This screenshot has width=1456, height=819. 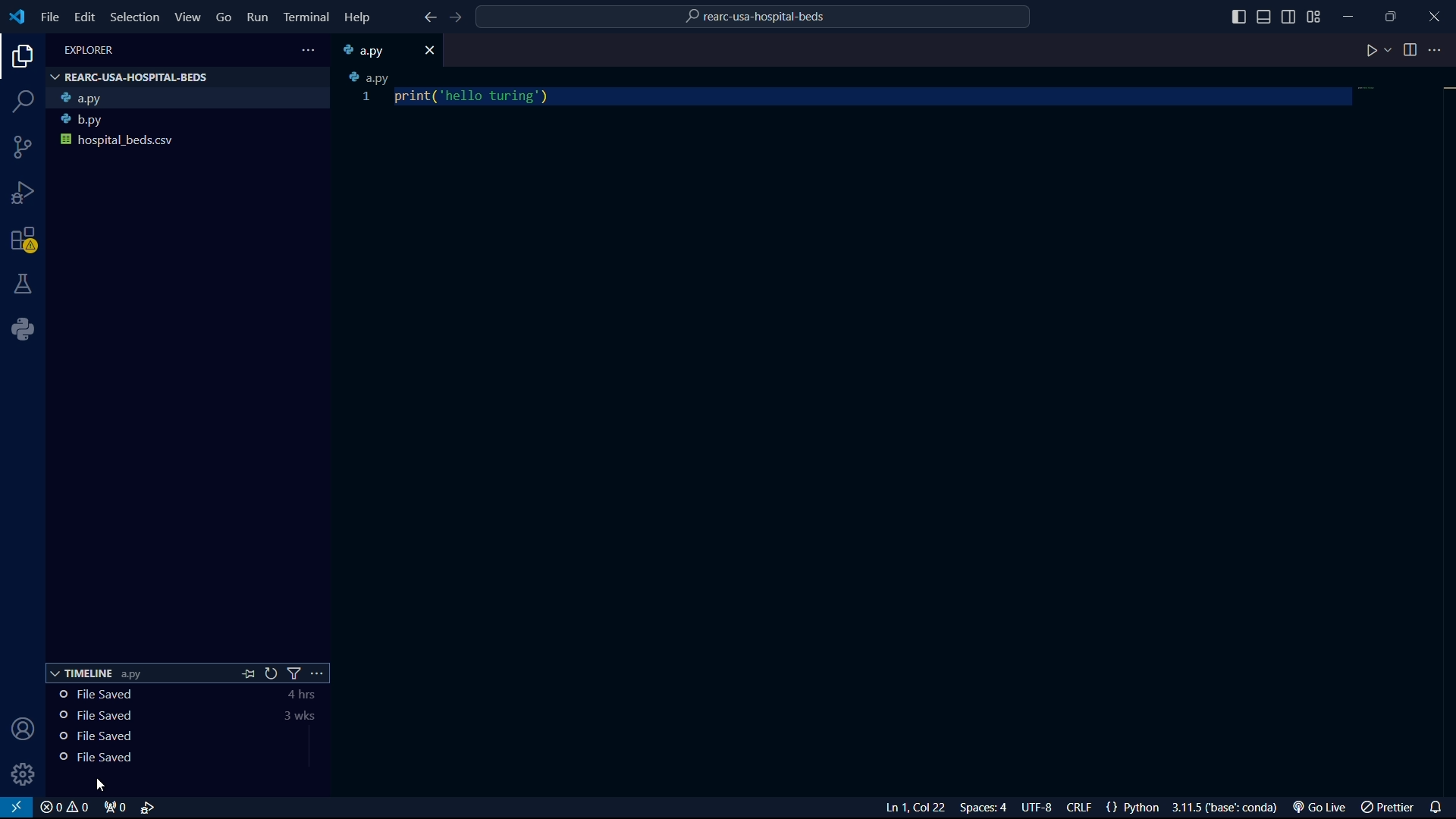 I want to click on manage, so click(x=25, y=774).